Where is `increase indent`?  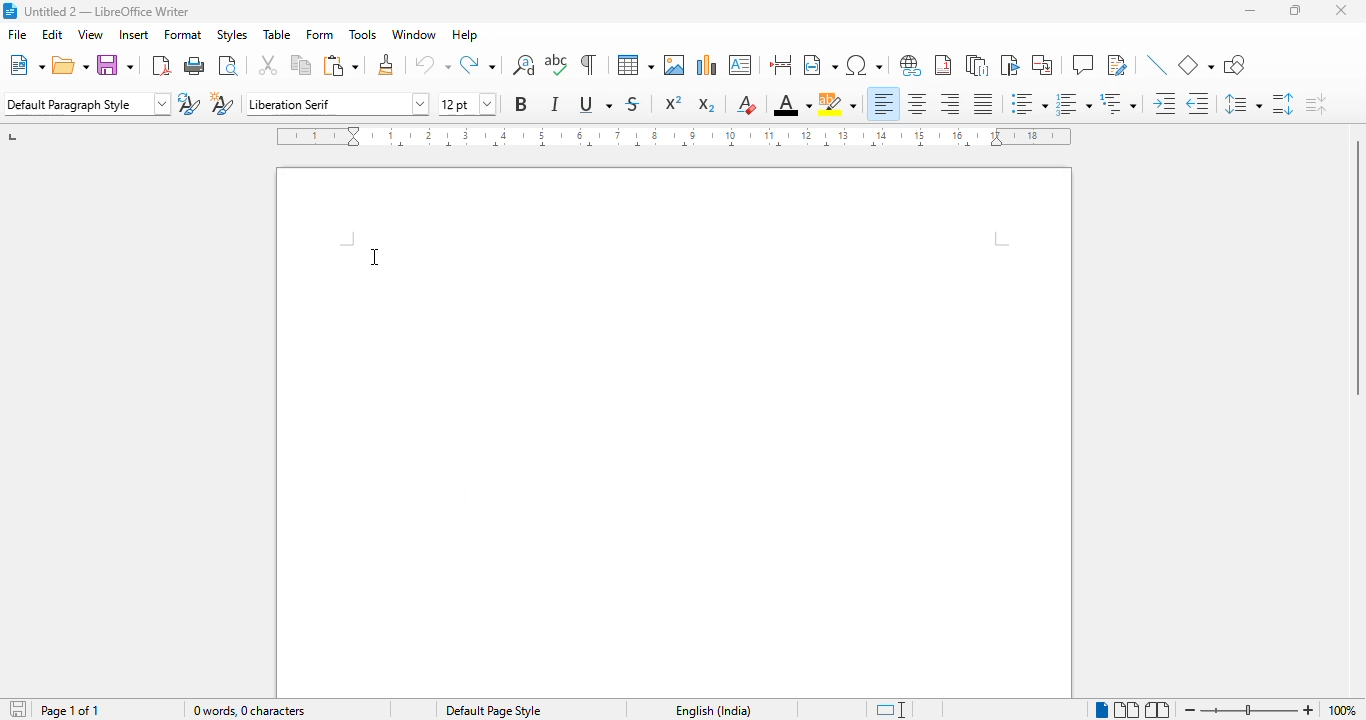 increase indent is located at coordinates (1164, 103).